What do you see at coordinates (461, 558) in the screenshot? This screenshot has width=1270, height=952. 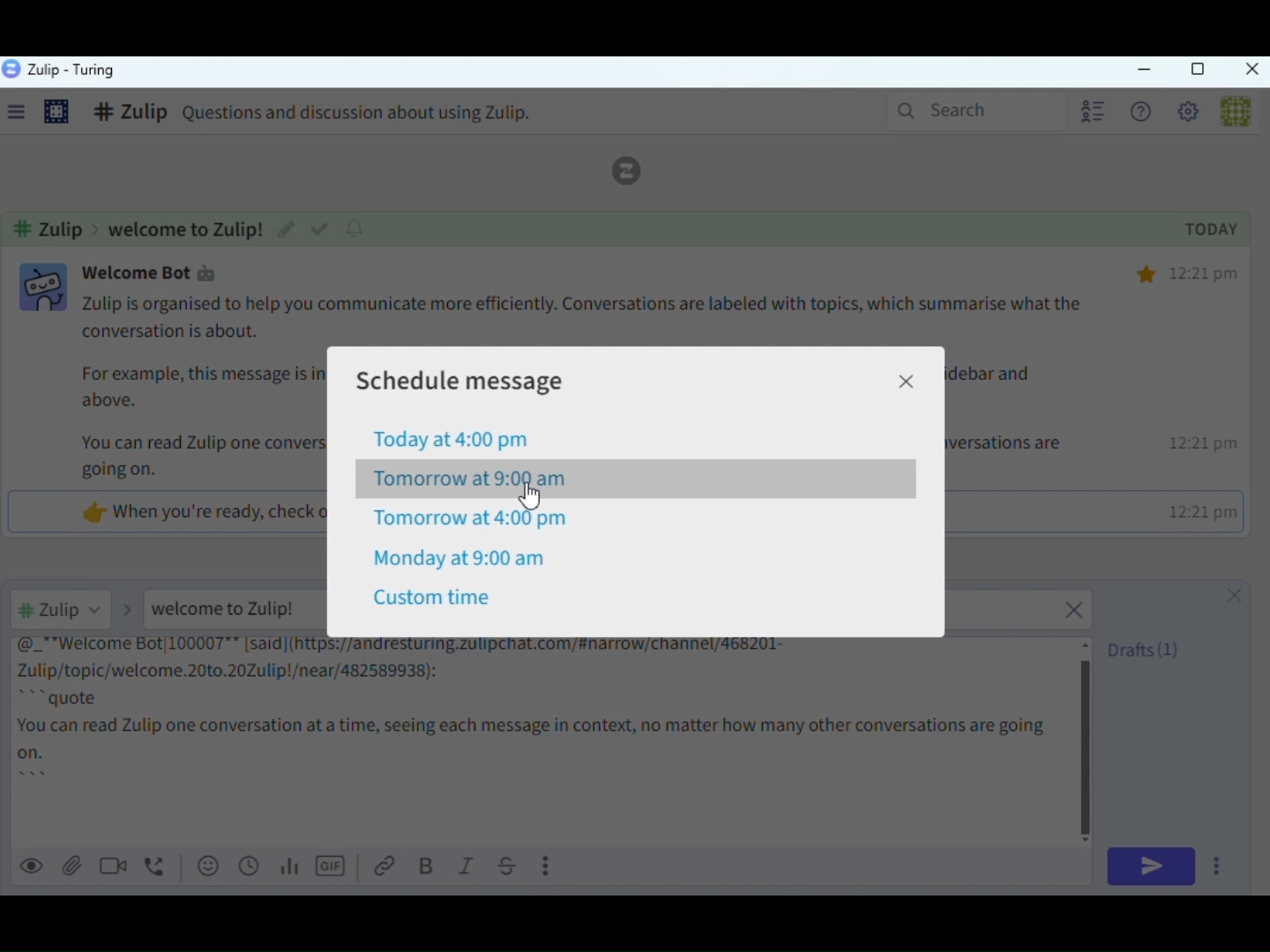 I see `Monday at 9:00 am` at bounding box center [461, 558].